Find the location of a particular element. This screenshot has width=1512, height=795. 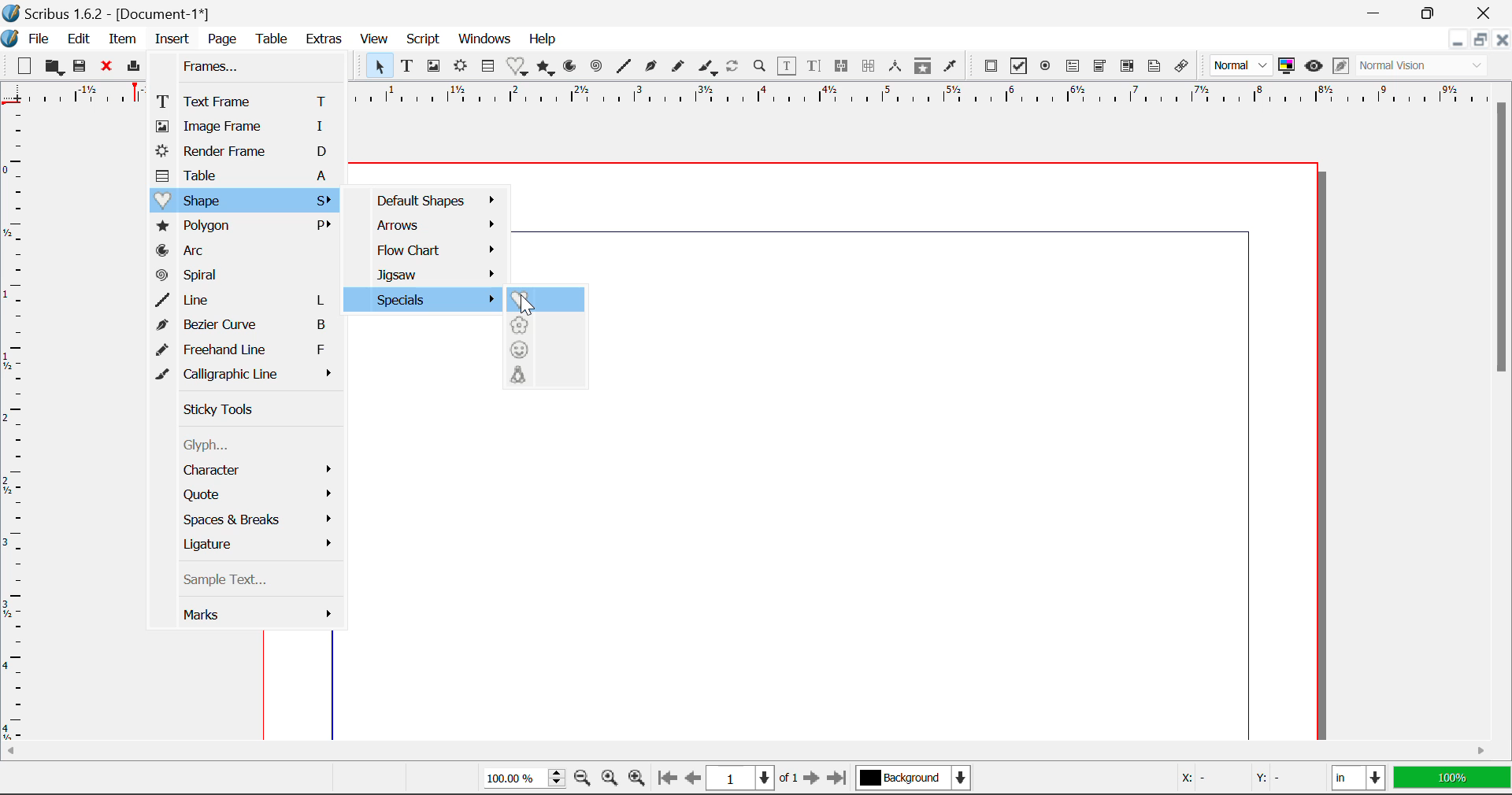

Y: - is located at coordinates (1284, 778).